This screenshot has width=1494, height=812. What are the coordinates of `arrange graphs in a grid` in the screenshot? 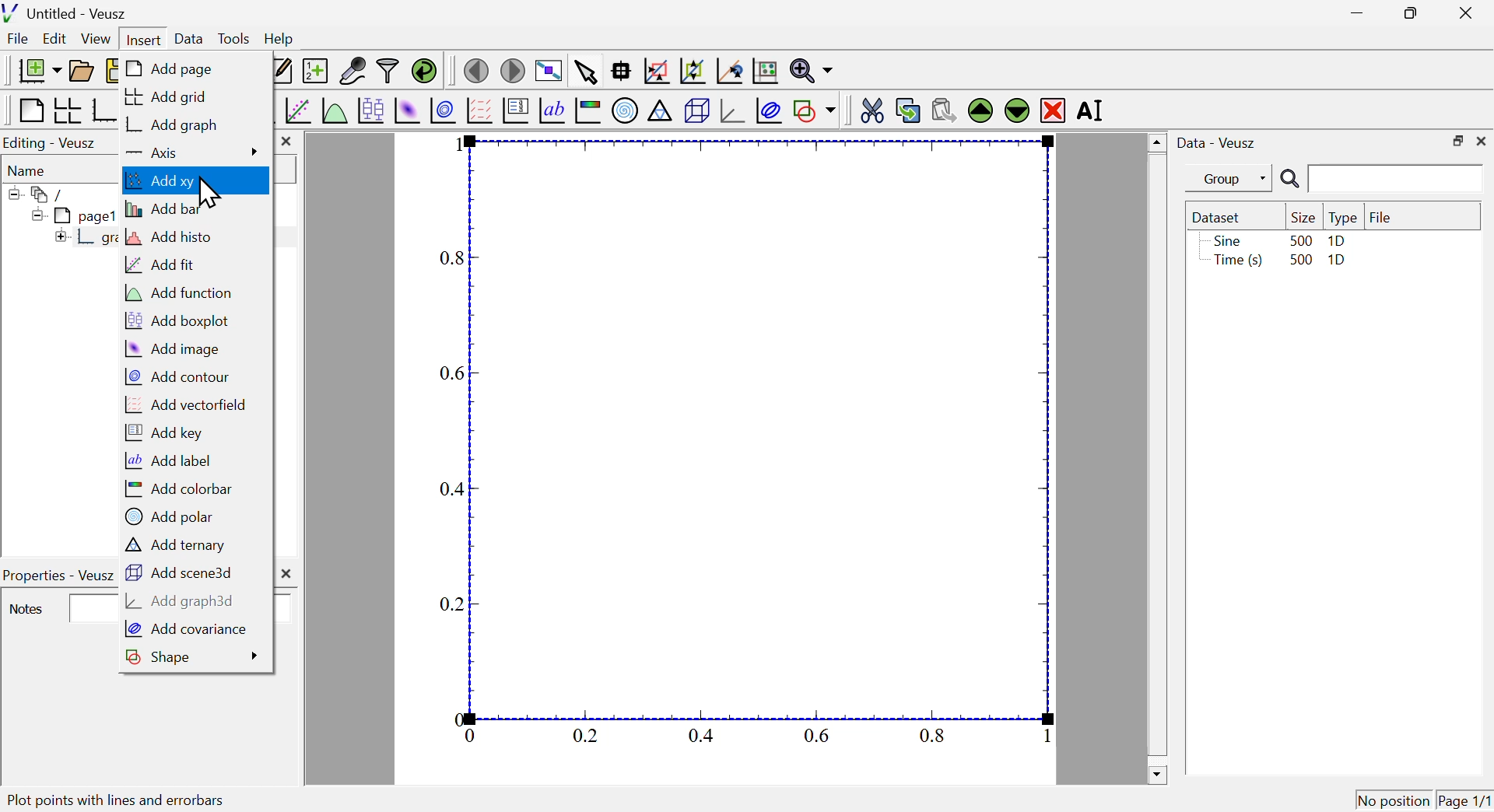 It's located at (67, 111).